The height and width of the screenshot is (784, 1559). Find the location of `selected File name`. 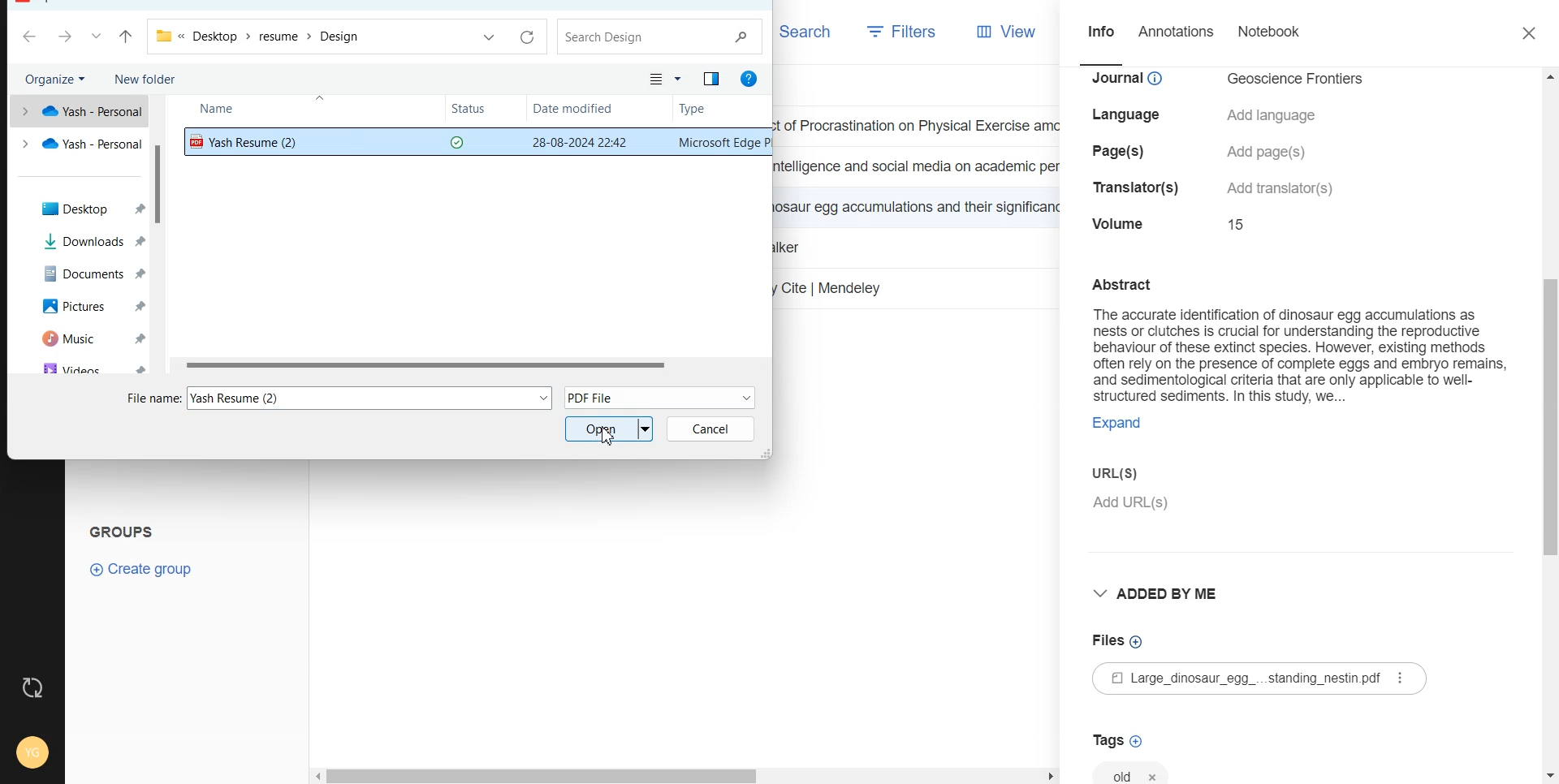

selected File name is located at coordinates (375, 398).